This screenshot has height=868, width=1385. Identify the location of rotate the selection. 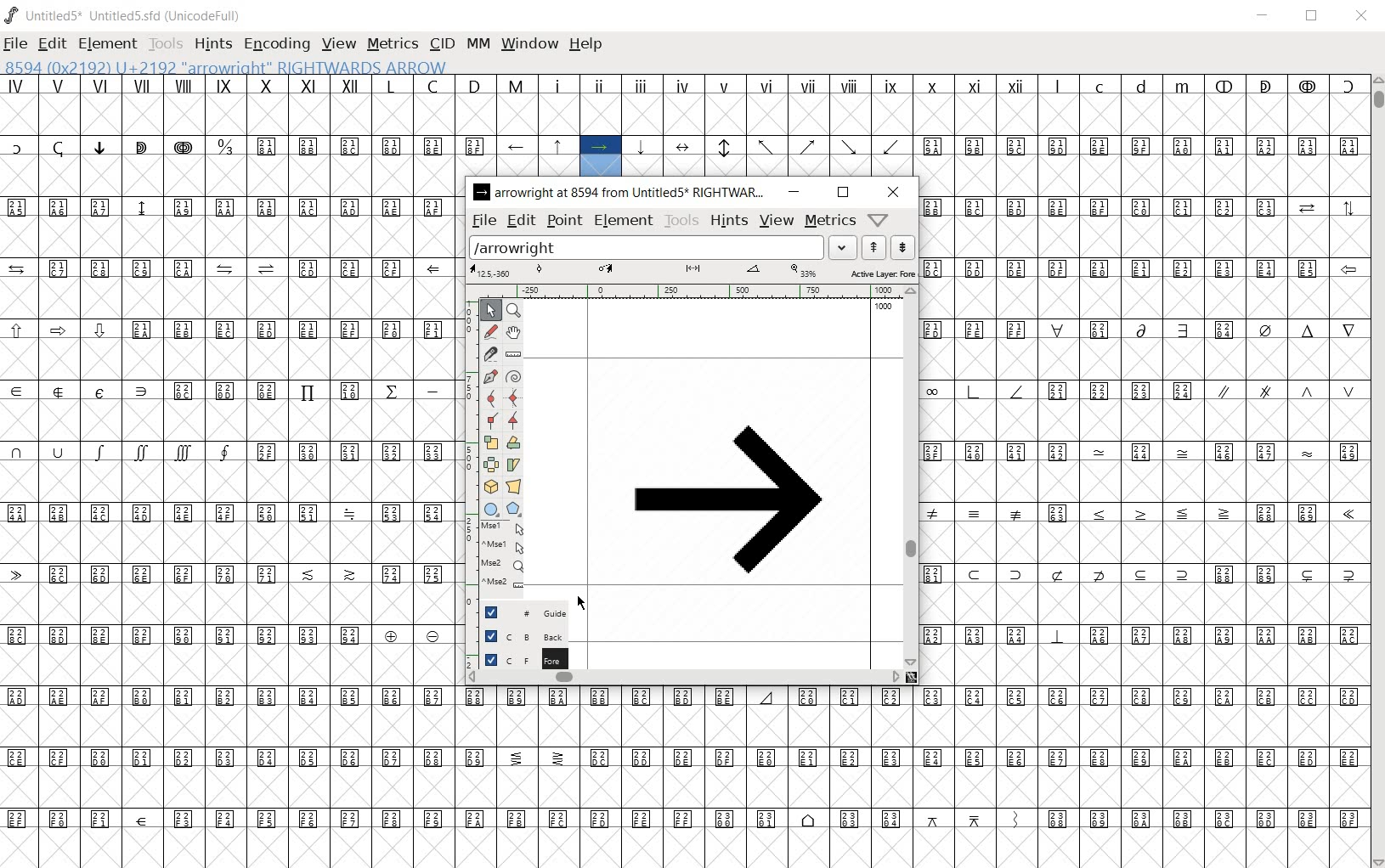
(515, 444).